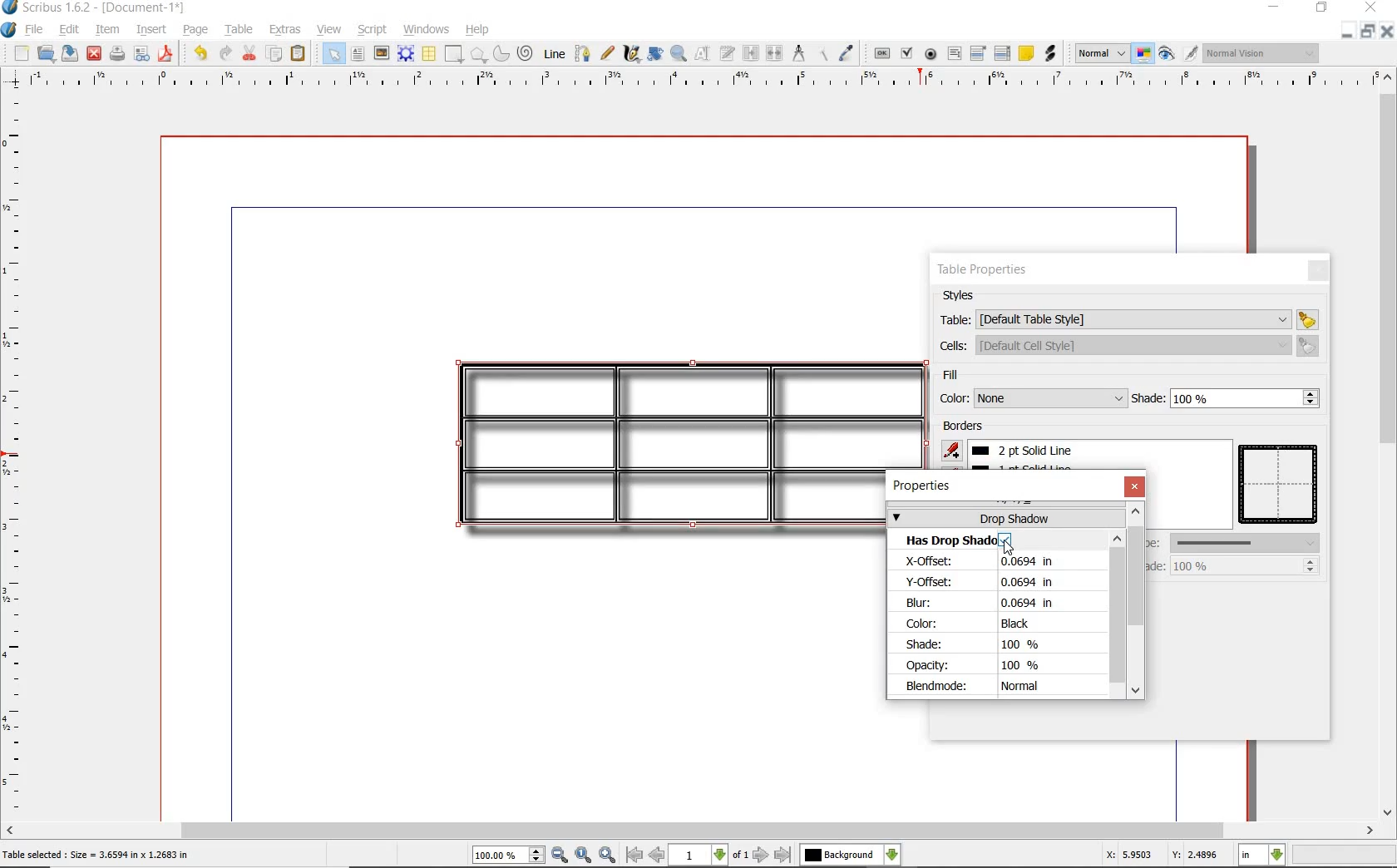 This screenshot has height=868, width=1397. I want to click on blendmode: normal, so click(990, 687).